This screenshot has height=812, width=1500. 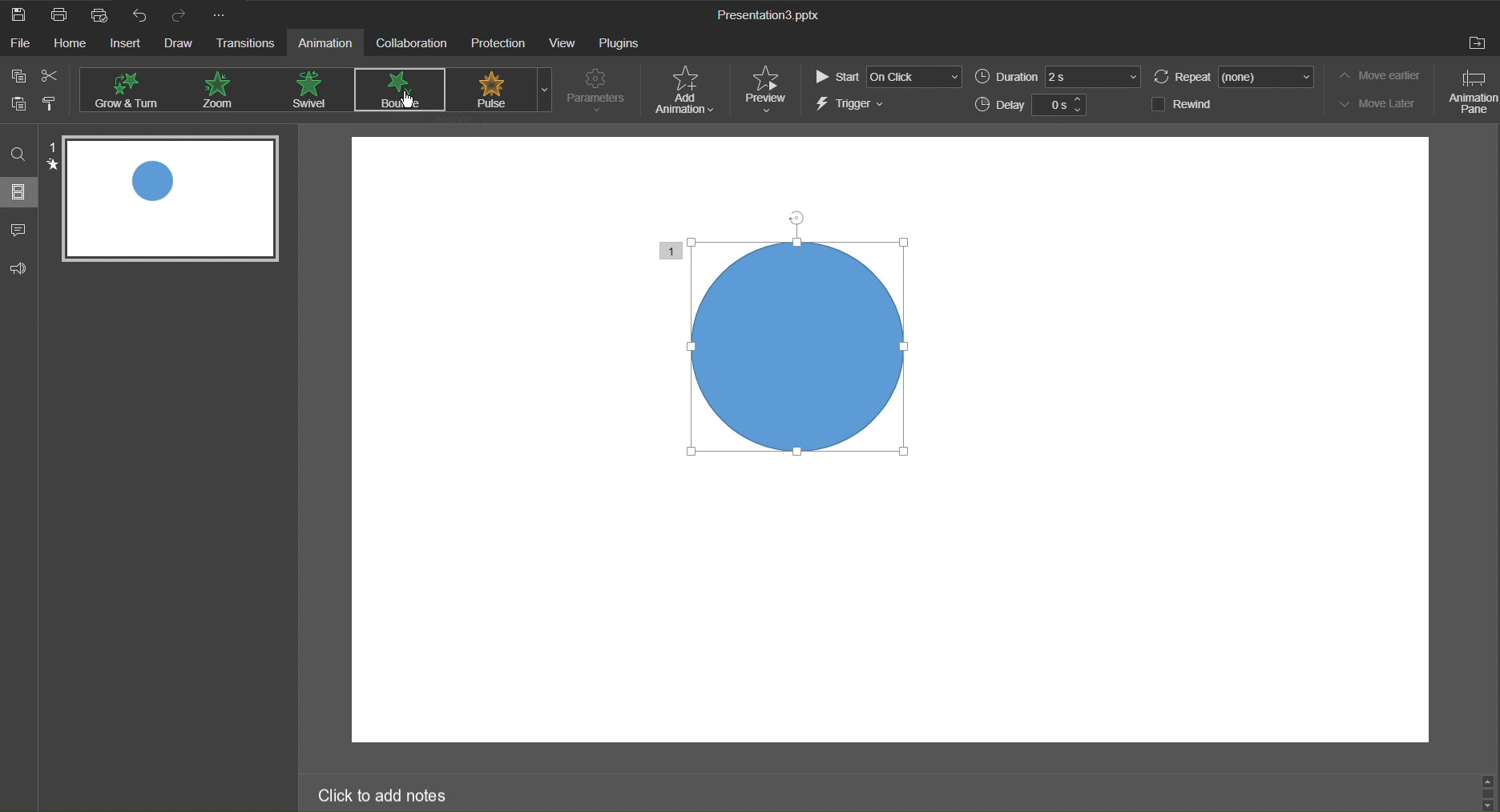 What do you see at coordinates (1478, 45) in the screenshot?
I see `Open File Location` at bounding box center [1478, 45].